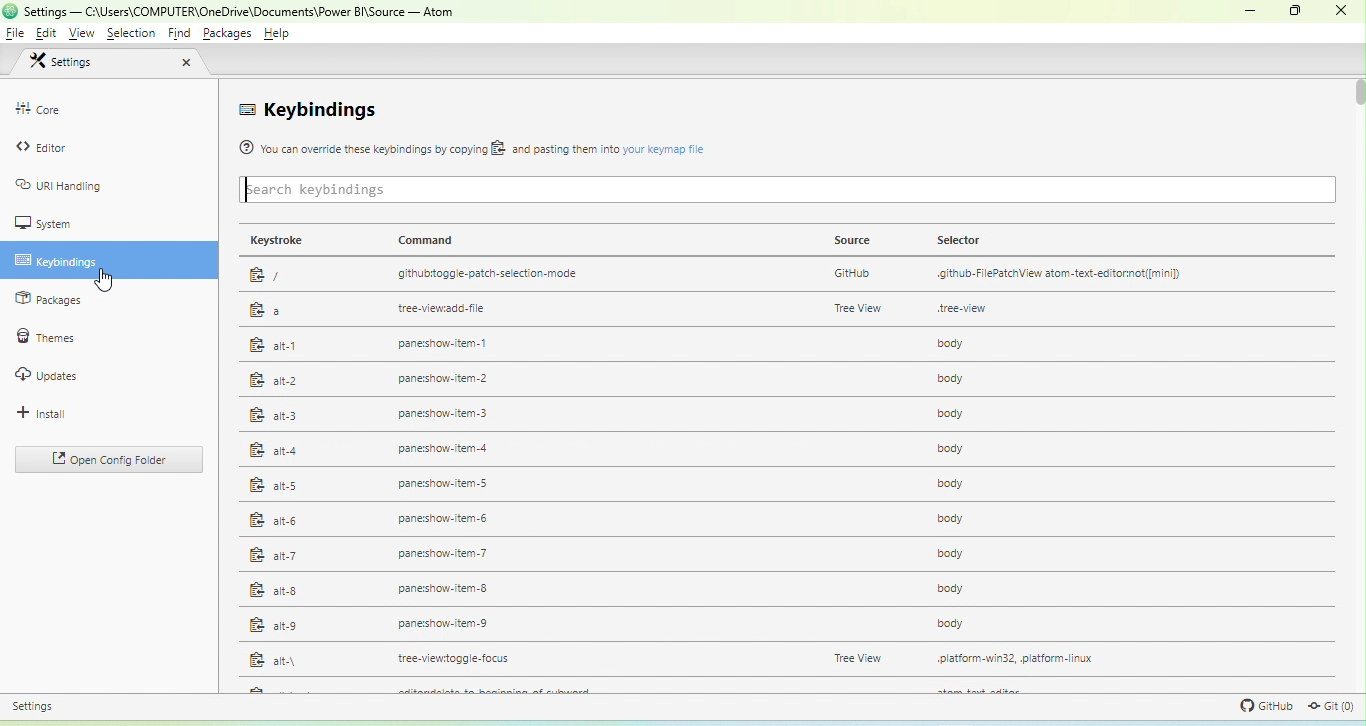  I want to click on updates, so click(50, 376).